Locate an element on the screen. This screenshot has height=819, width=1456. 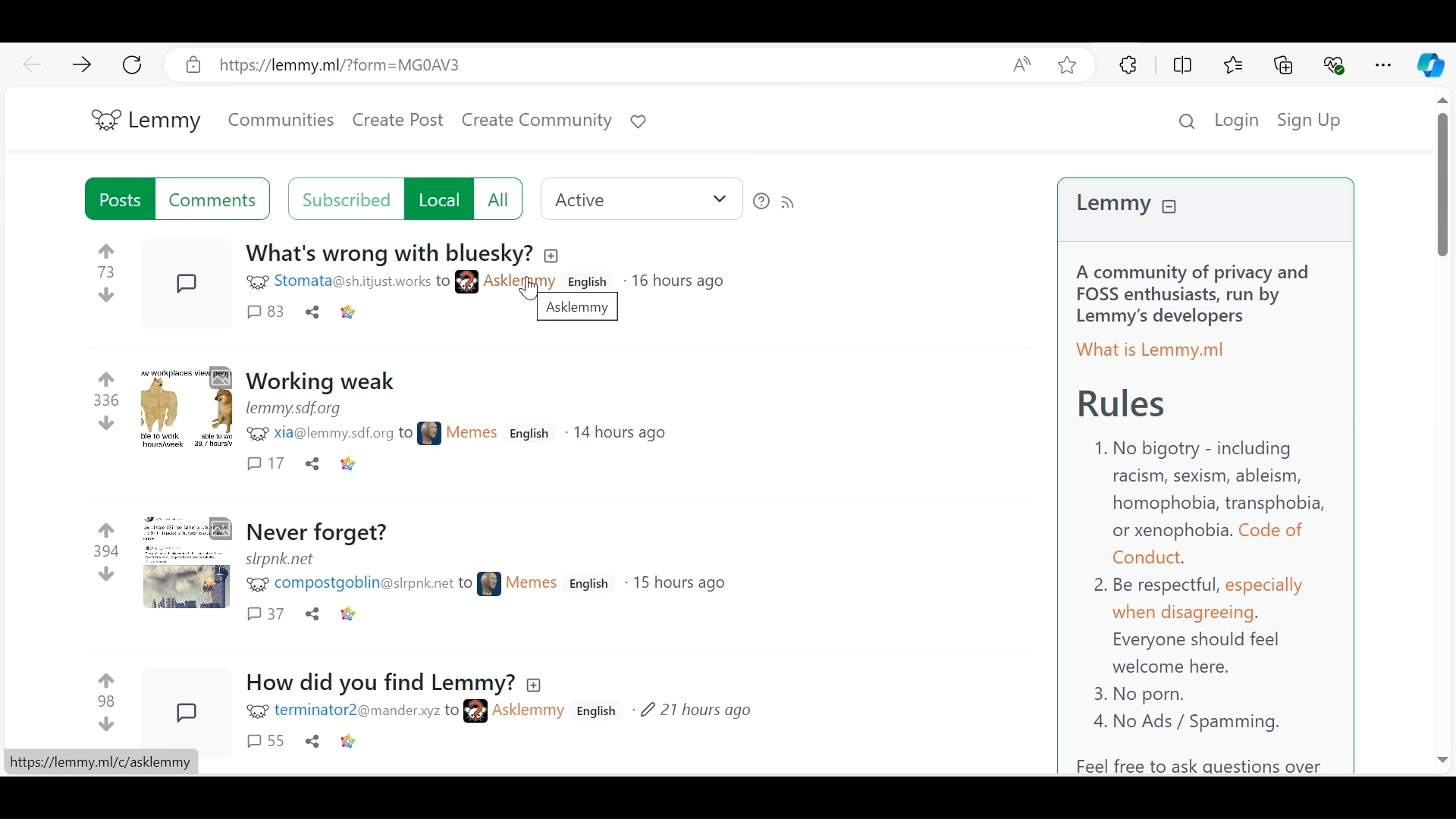
link is located at coordinates (347, 464).